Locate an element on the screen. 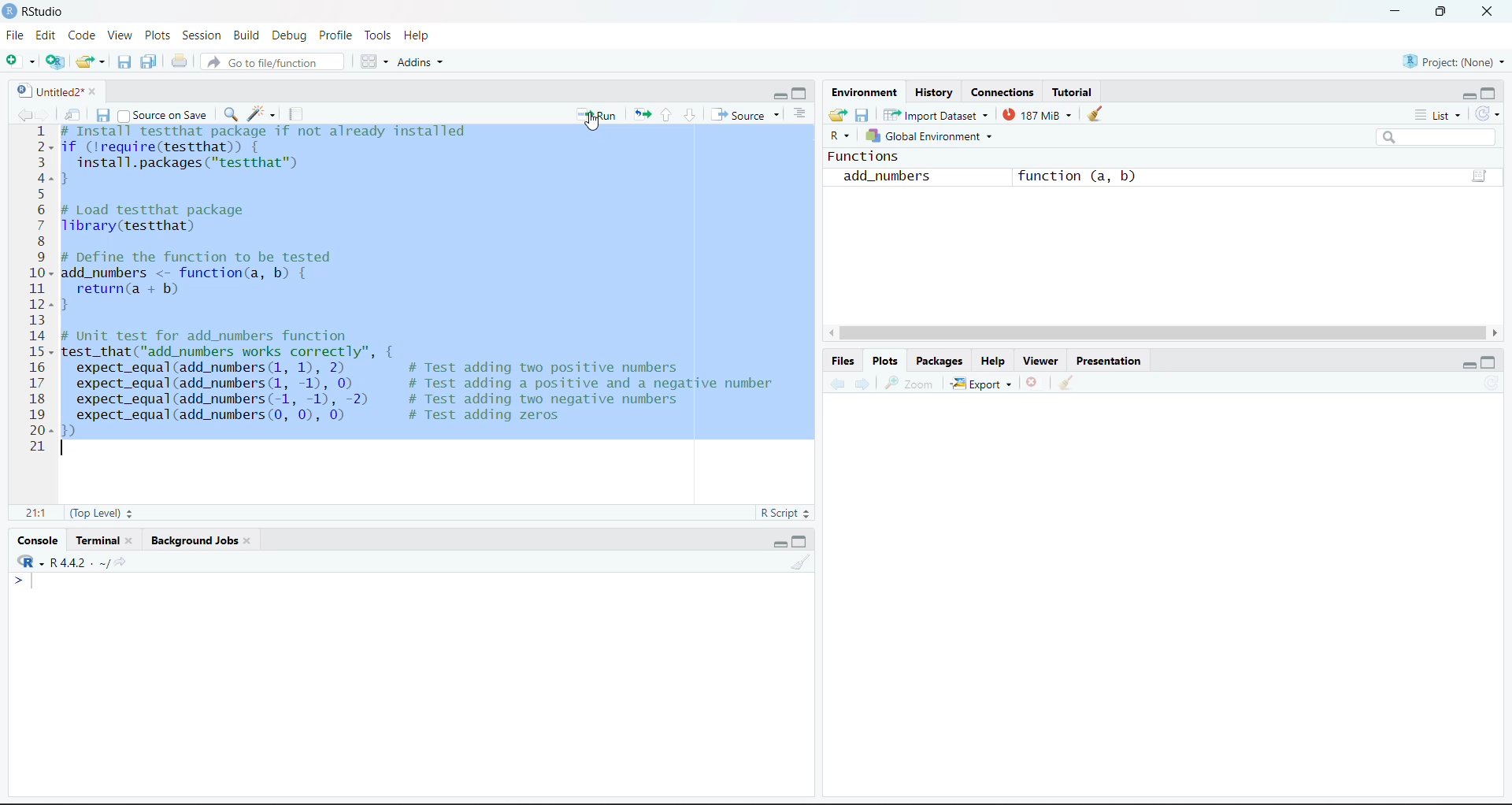  Connections is located at coordinates (997, 91).